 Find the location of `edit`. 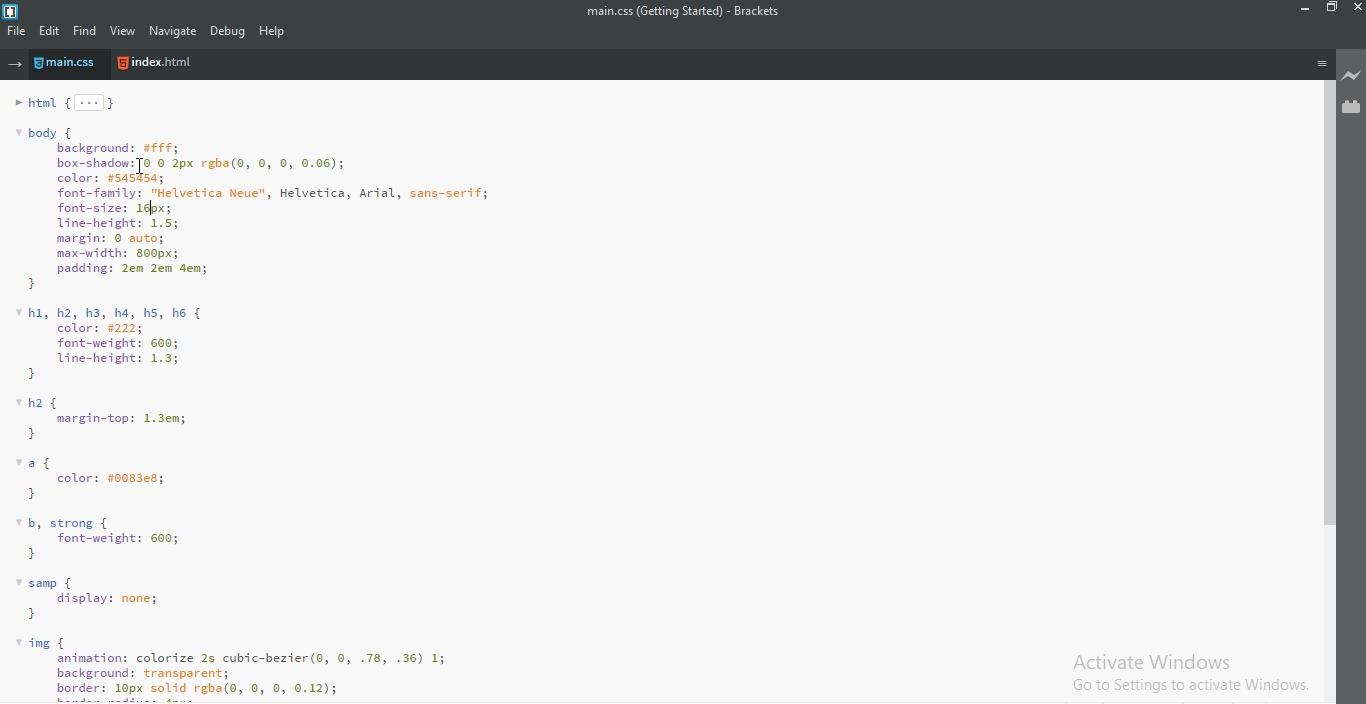

edit is located at coordinates (51, 31).